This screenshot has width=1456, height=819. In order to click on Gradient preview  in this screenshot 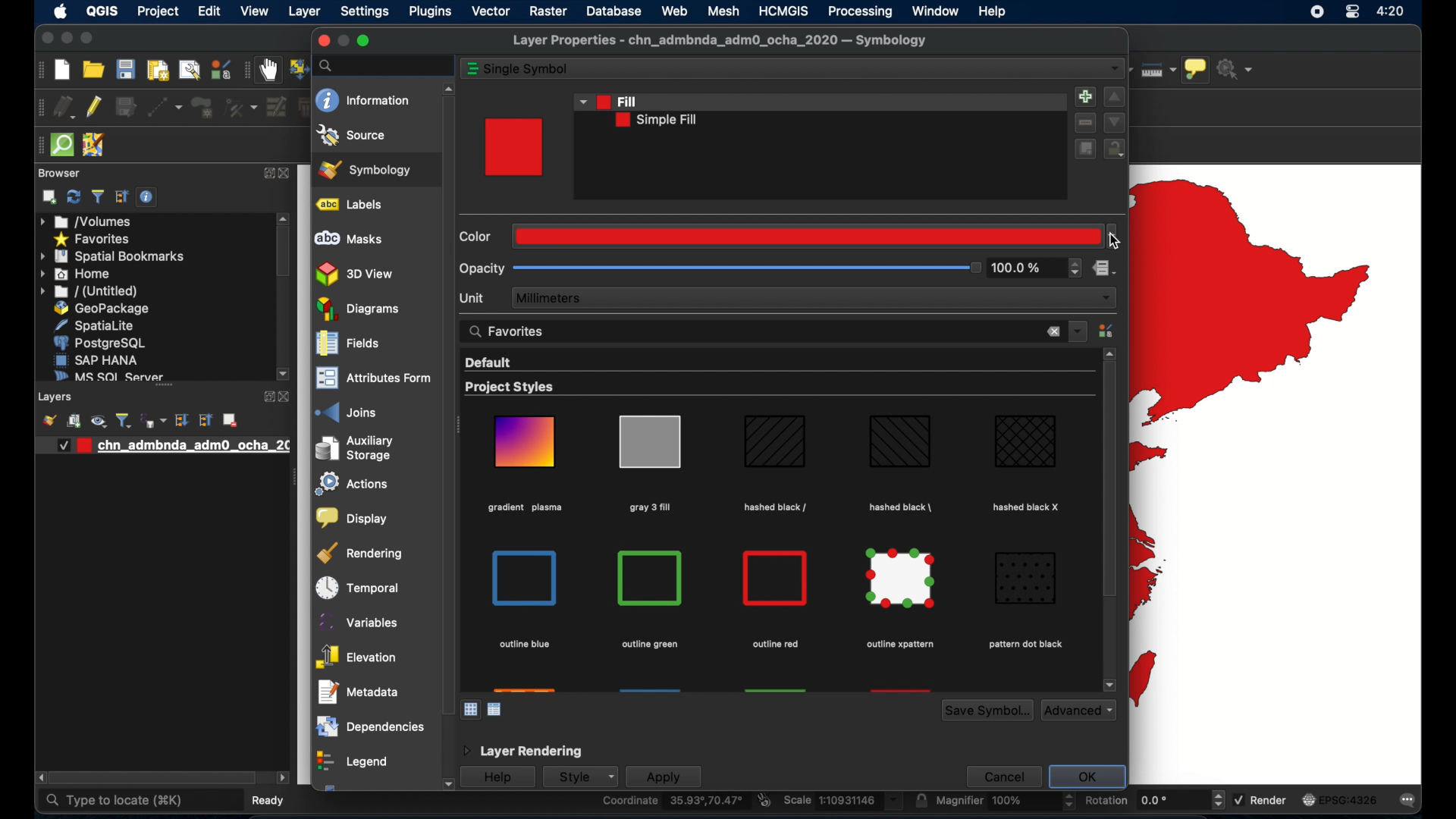, I will do `click(526, 441)`.